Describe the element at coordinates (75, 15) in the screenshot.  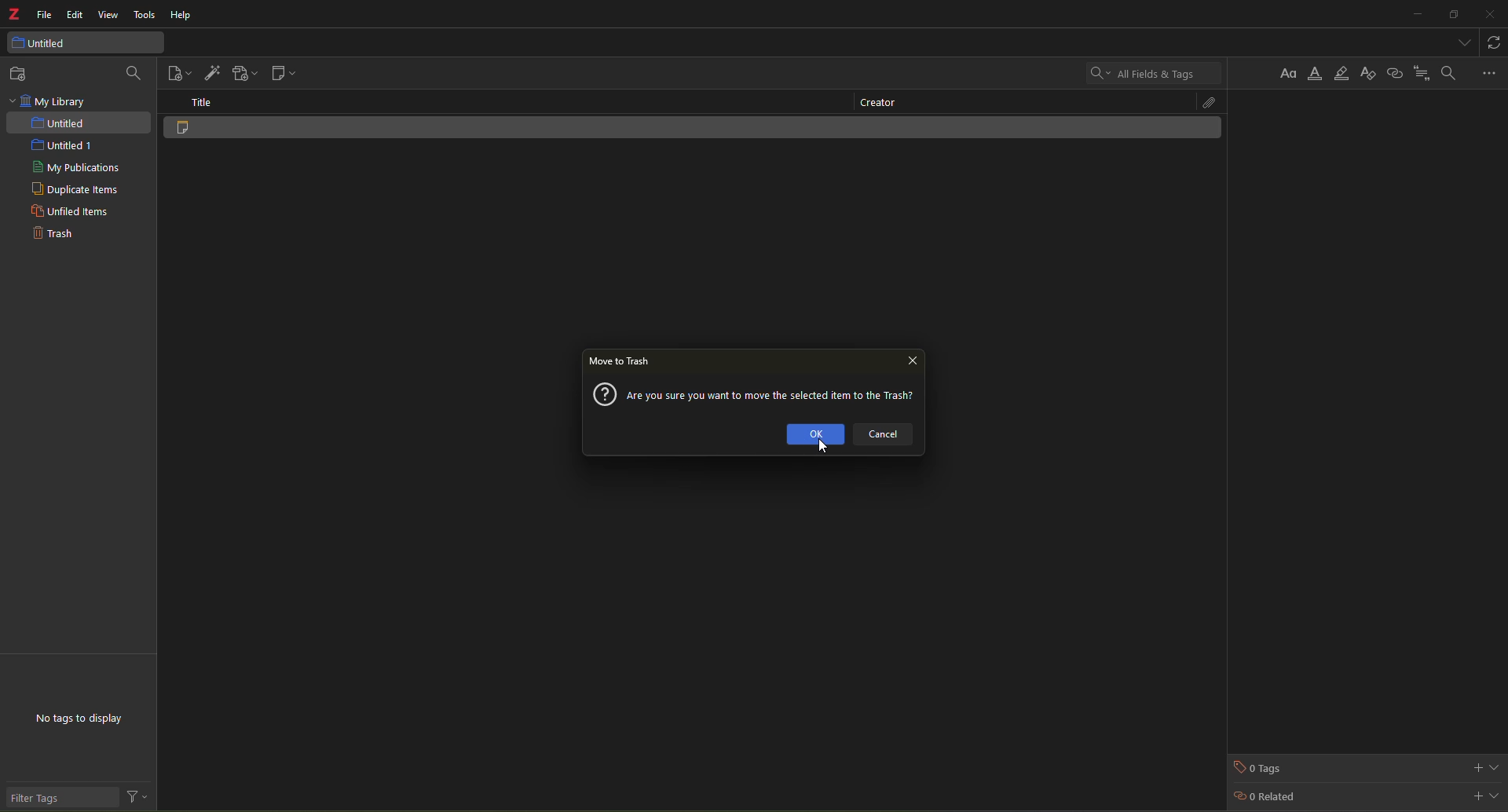
I see `edit` at that location.